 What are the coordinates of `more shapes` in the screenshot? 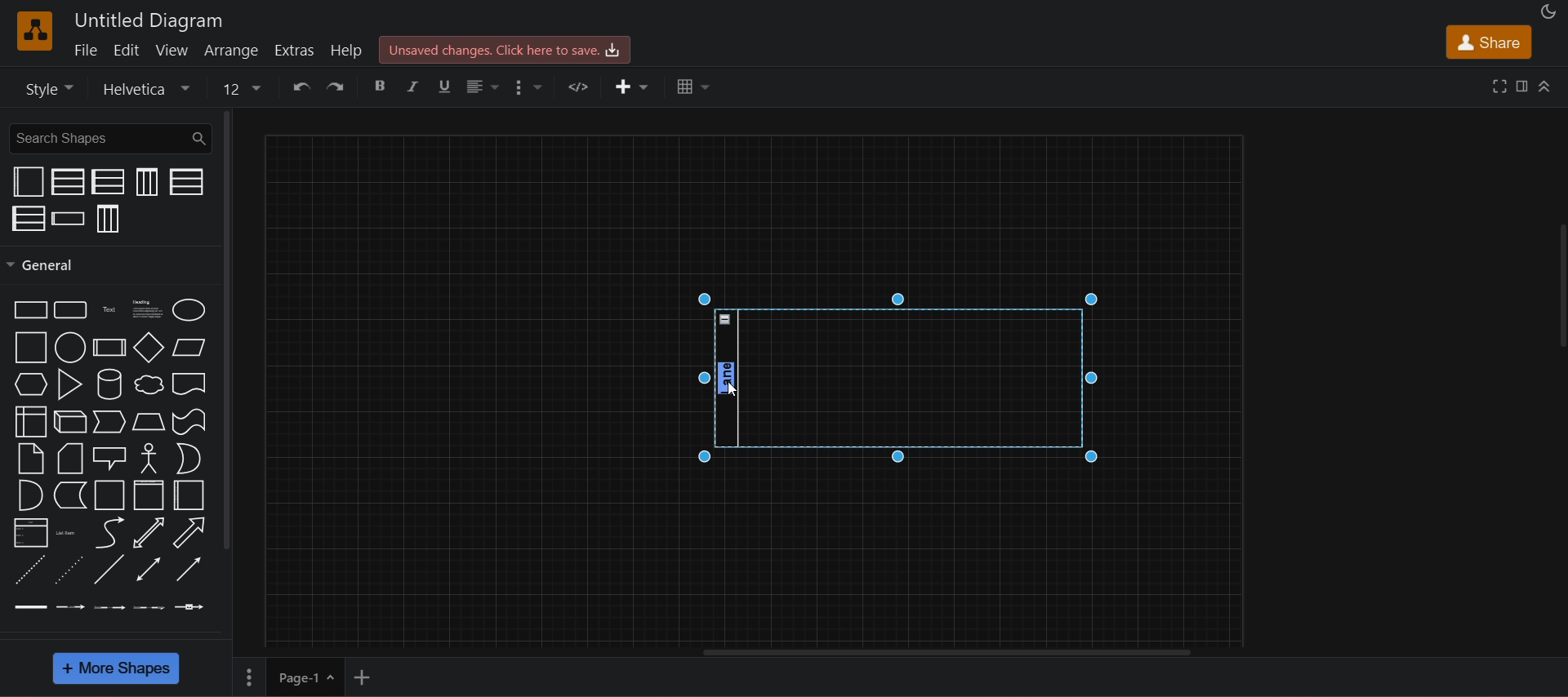 It's located at (118, 669).